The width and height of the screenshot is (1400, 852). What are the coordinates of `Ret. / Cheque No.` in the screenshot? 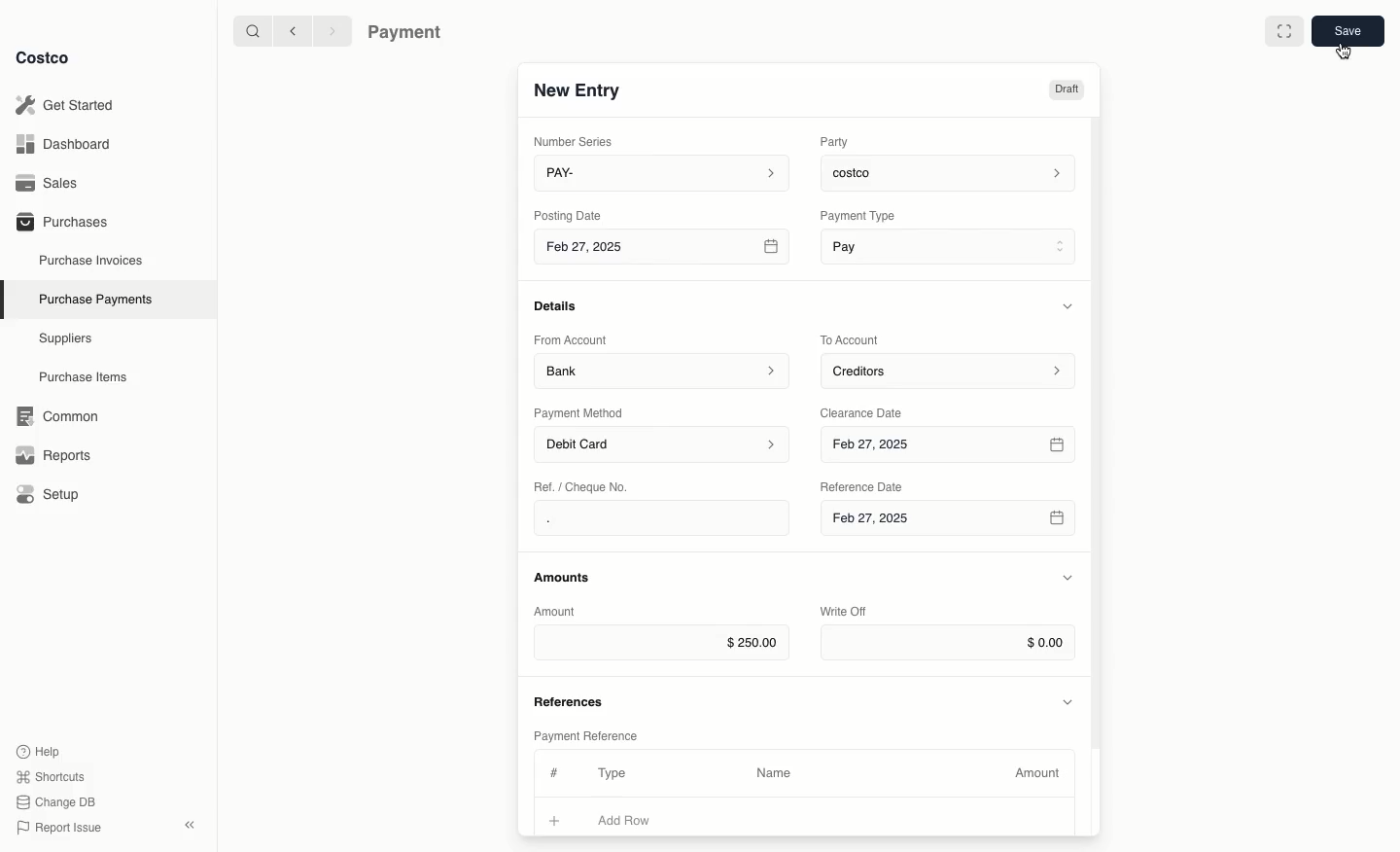 It's located at (583, 485).